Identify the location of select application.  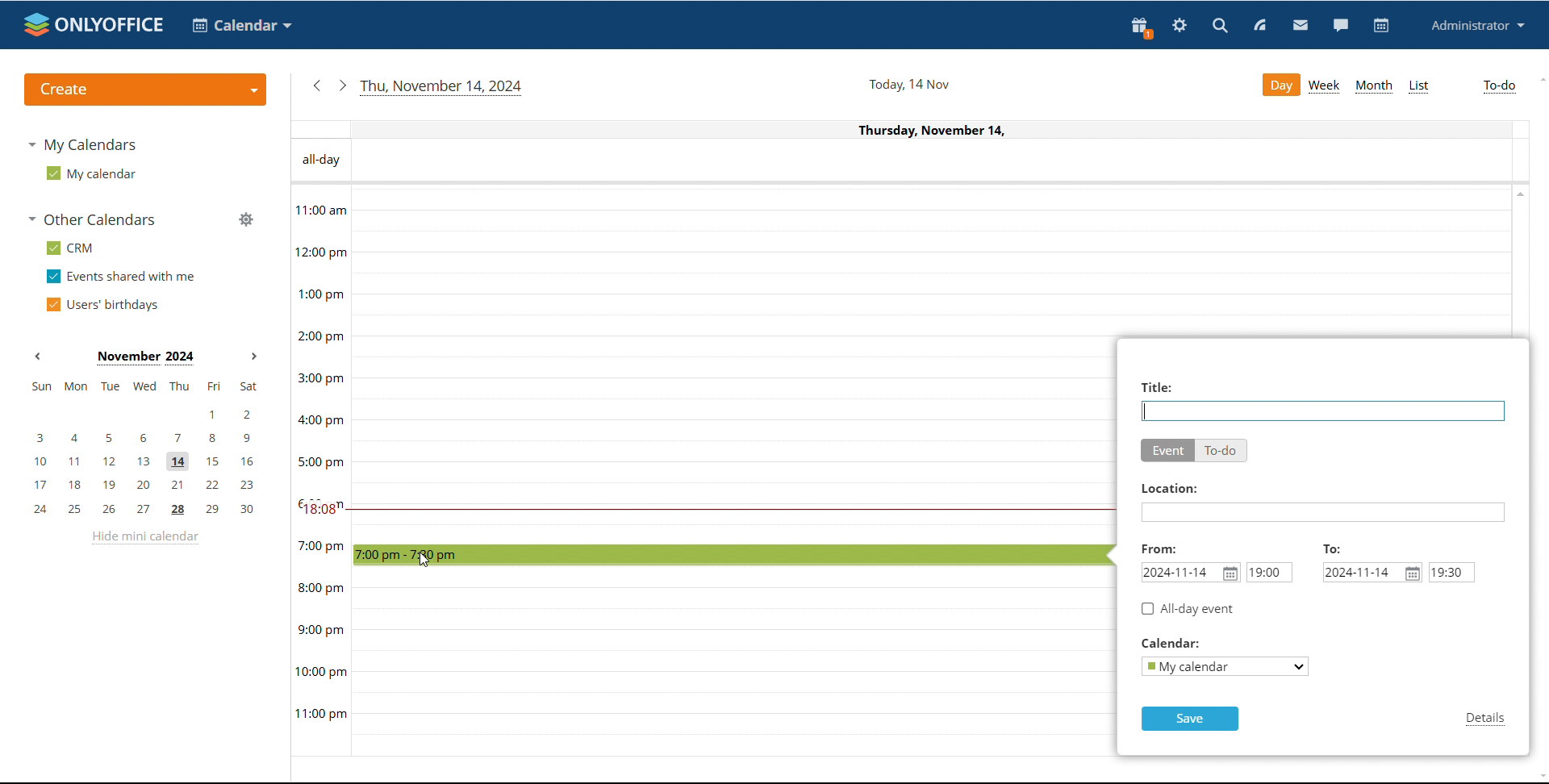
(242, 26).